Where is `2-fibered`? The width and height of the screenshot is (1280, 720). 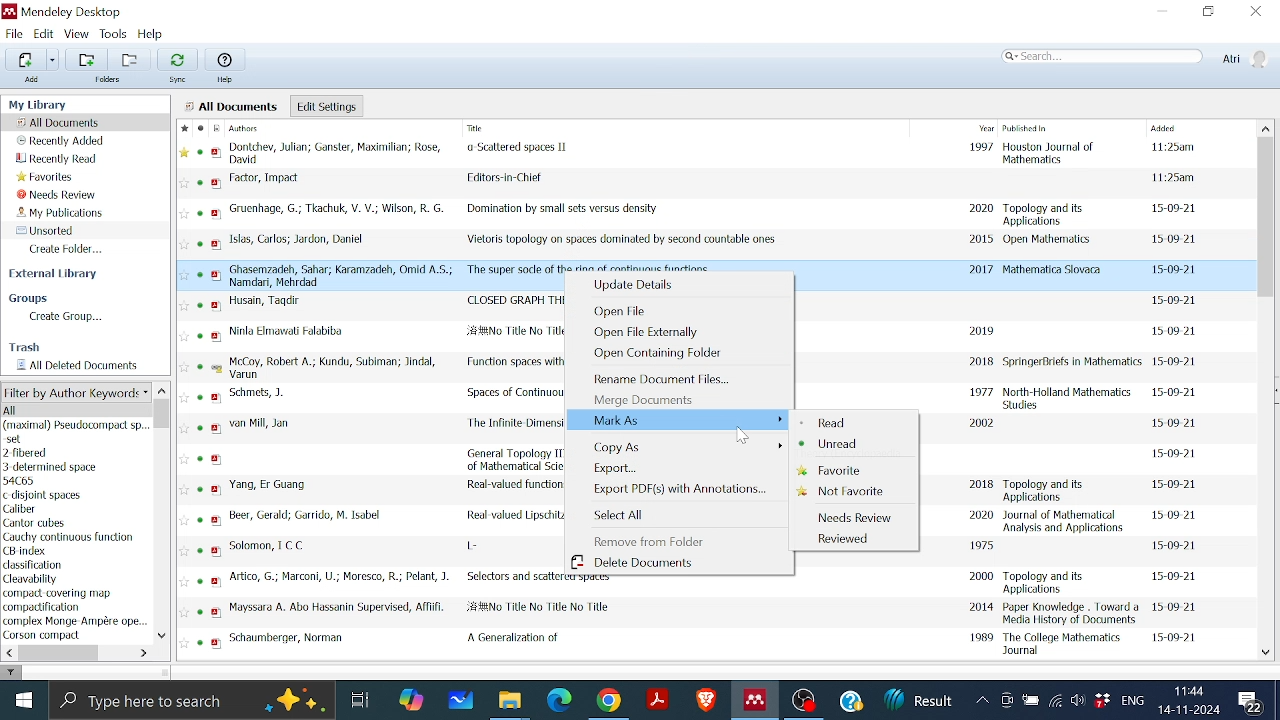 2-fibered is located at coordinates (29, 453).